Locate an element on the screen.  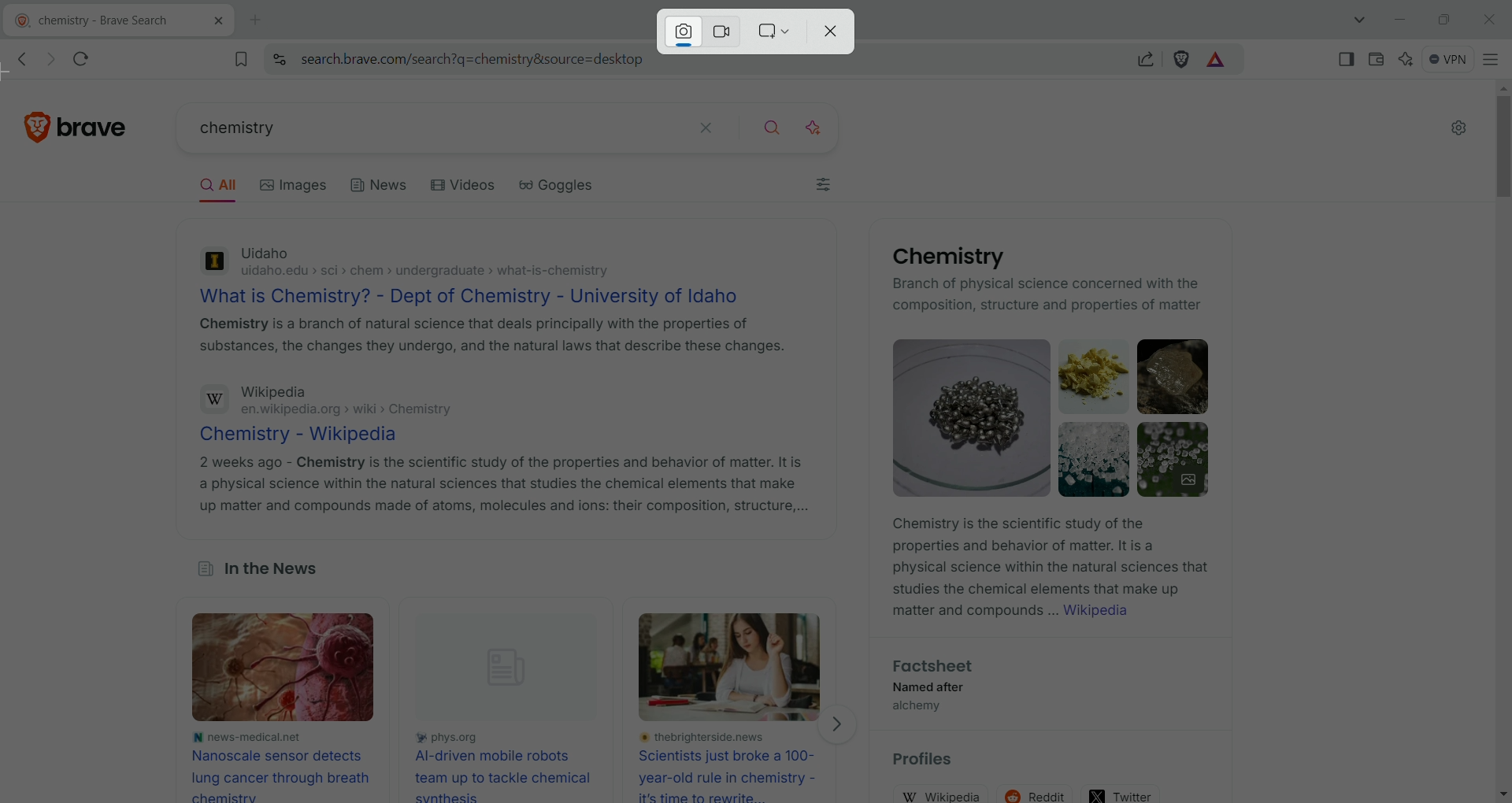
thebrighterside.news scientists just broke a 100-year-old rule in chemistry - it's time to rewrite is located at coordinates (734, 767).